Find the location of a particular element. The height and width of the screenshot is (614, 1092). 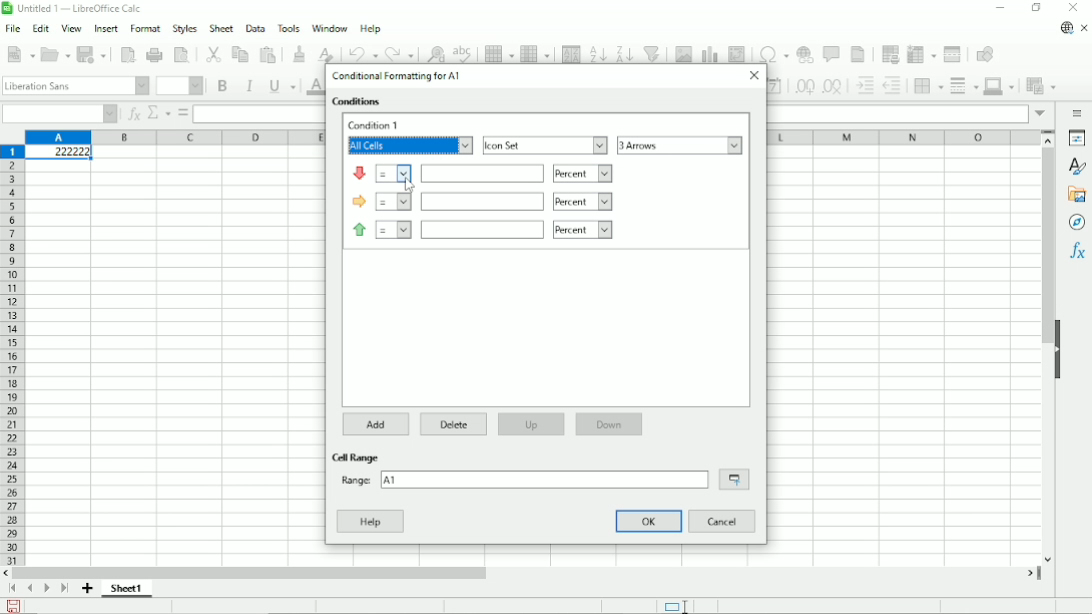

Decrease indent is located at coordinates (894, 86).